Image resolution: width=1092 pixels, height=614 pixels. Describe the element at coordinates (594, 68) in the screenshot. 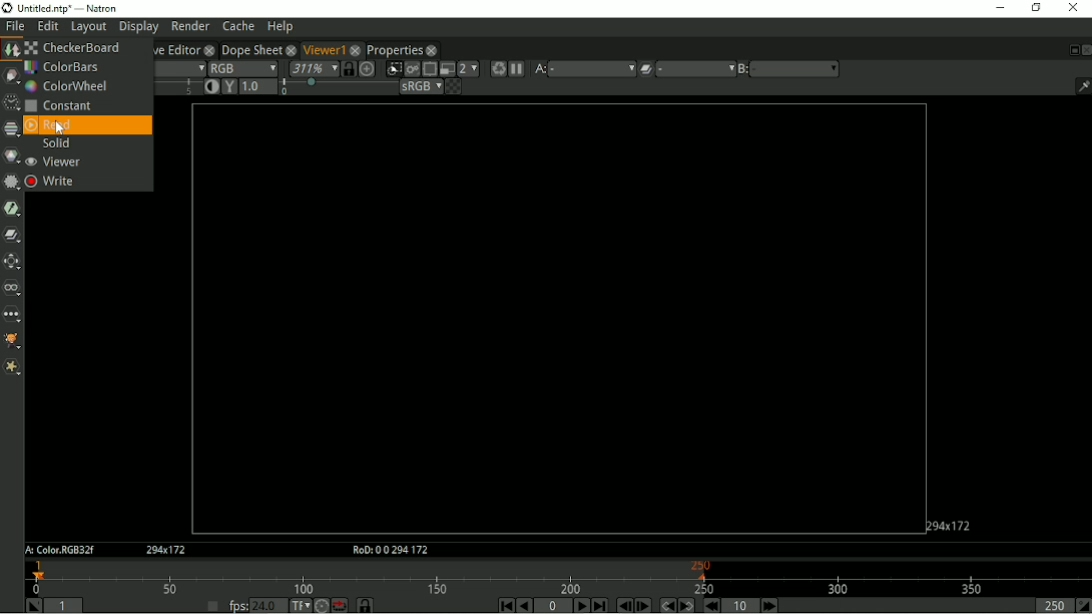

I see `a menu` at that location.